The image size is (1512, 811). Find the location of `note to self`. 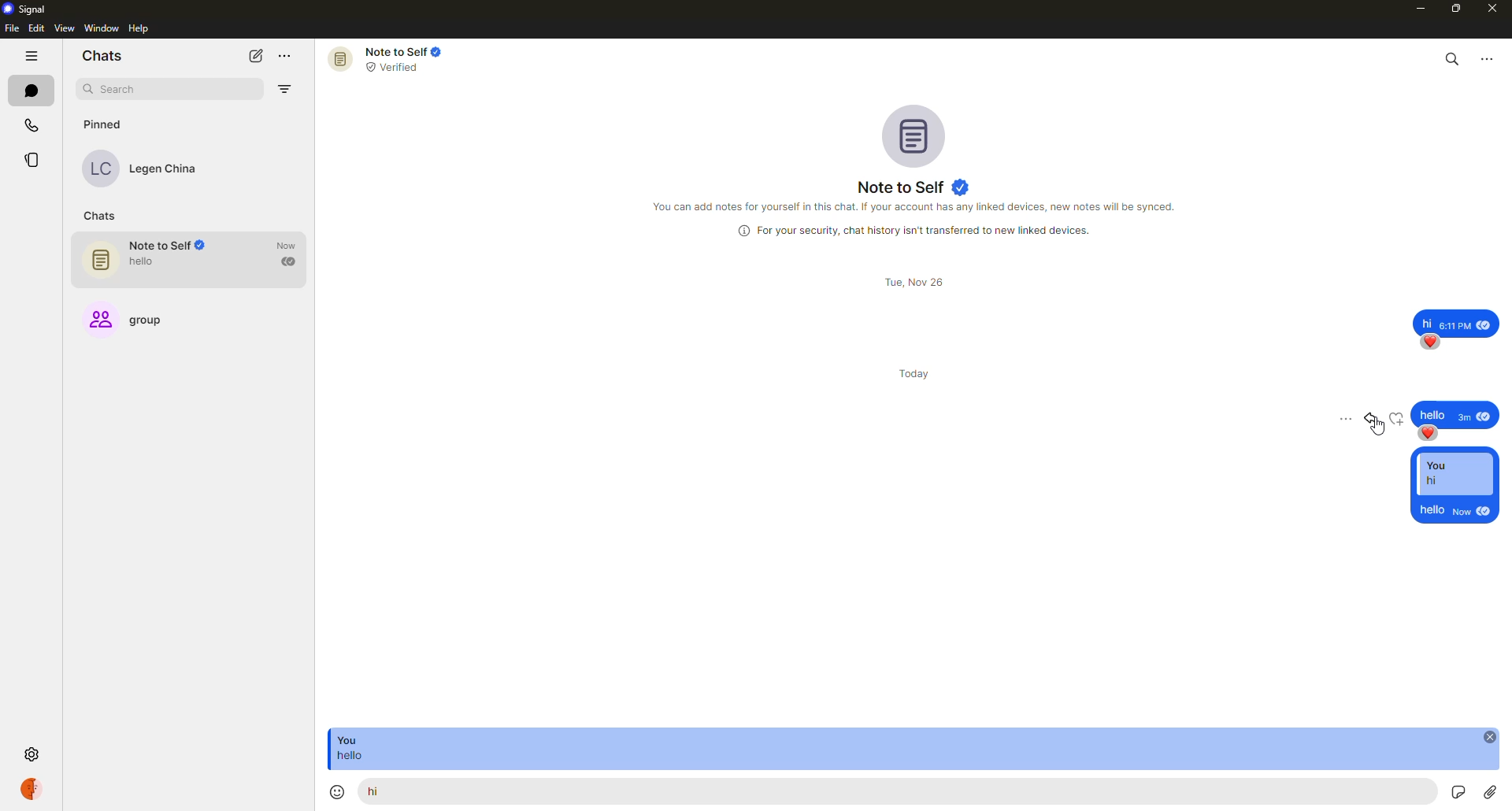

note to self is located at coordinates (387, 59).